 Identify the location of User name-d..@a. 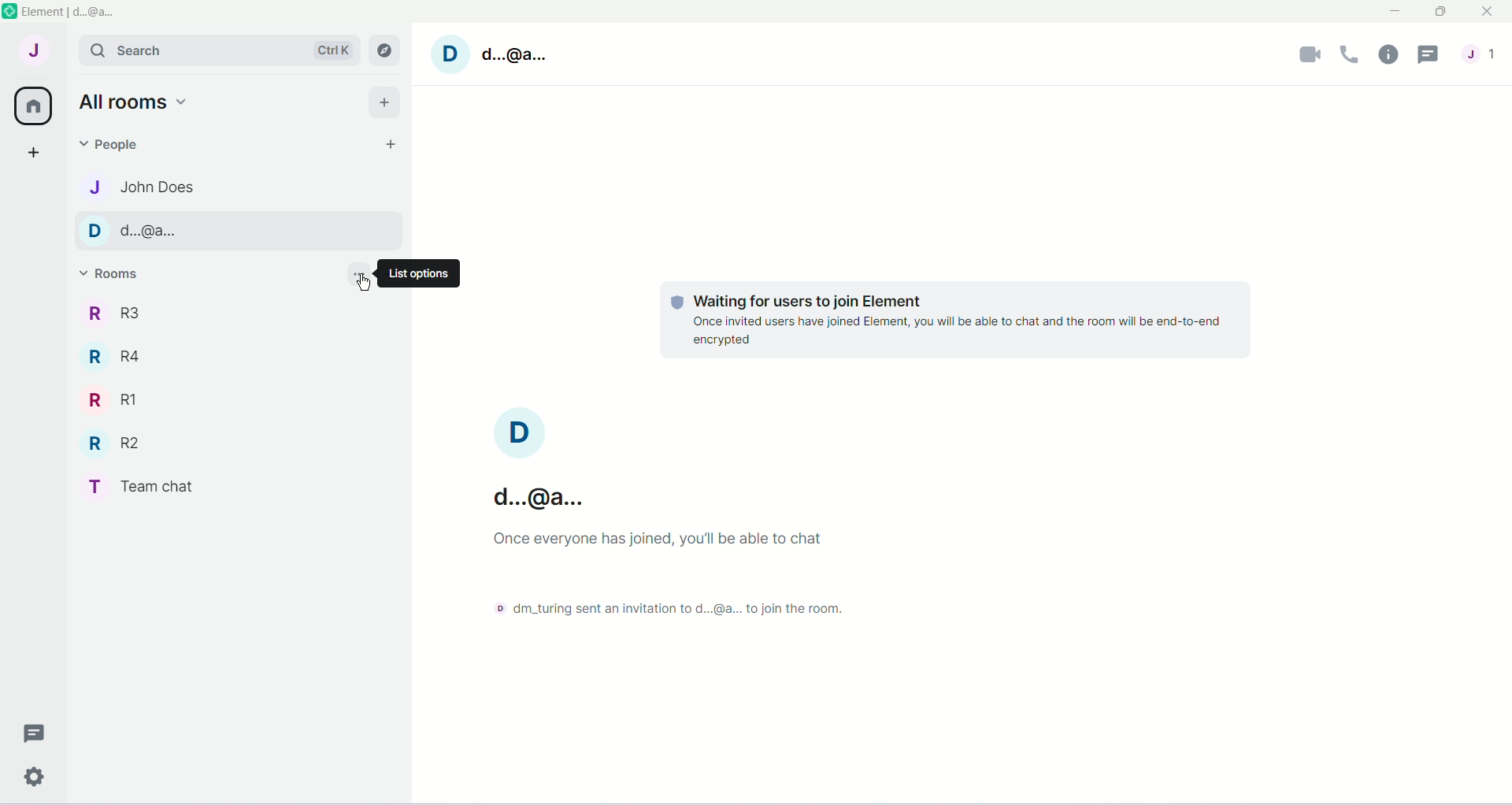
(511, 53).